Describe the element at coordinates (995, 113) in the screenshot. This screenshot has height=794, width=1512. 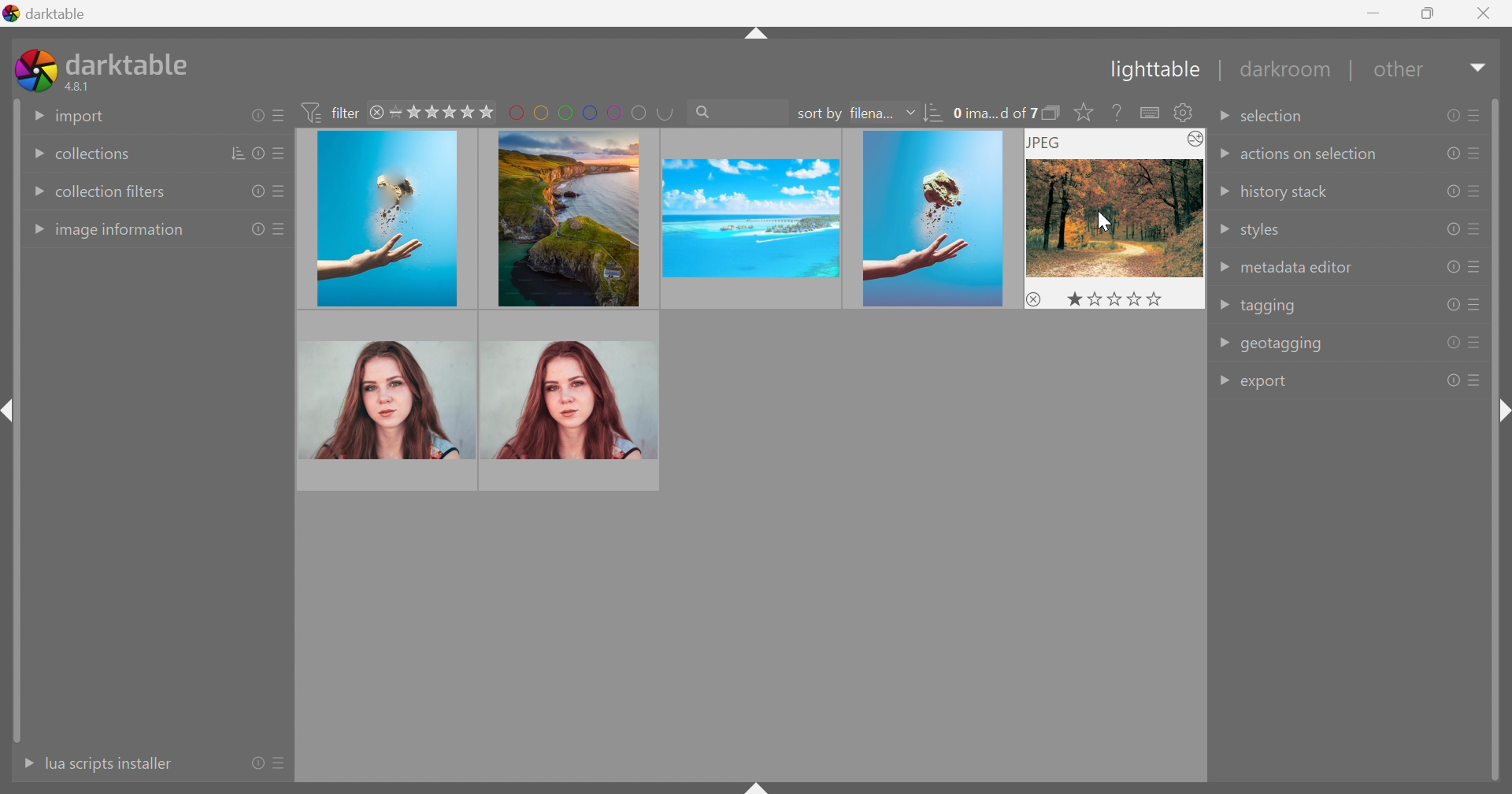
I see `0 ima...d of 7` at that location.